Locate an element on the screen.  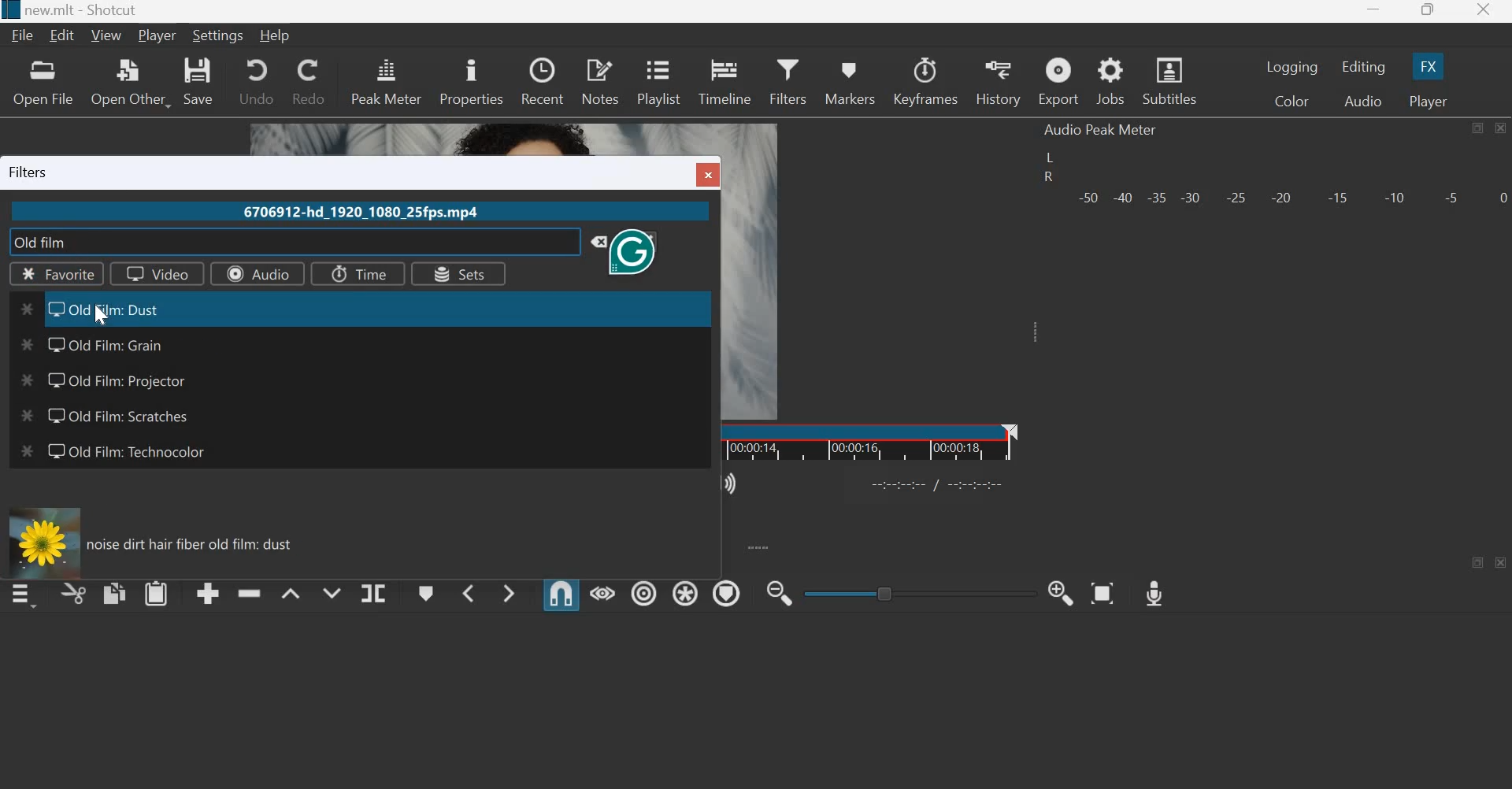
Sets is located at coordinates (457, 275).